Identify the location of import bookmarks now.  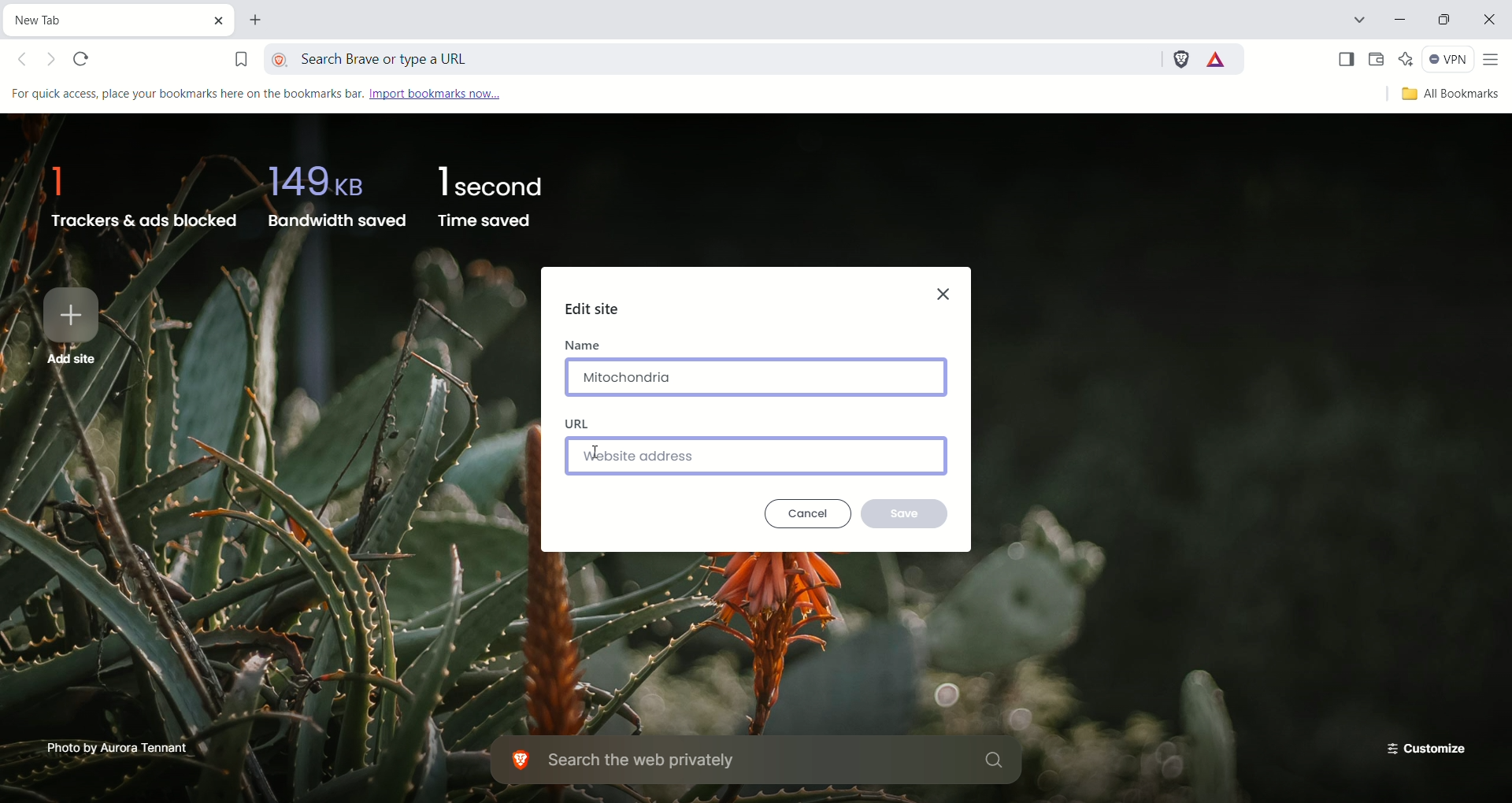
(450, 93).